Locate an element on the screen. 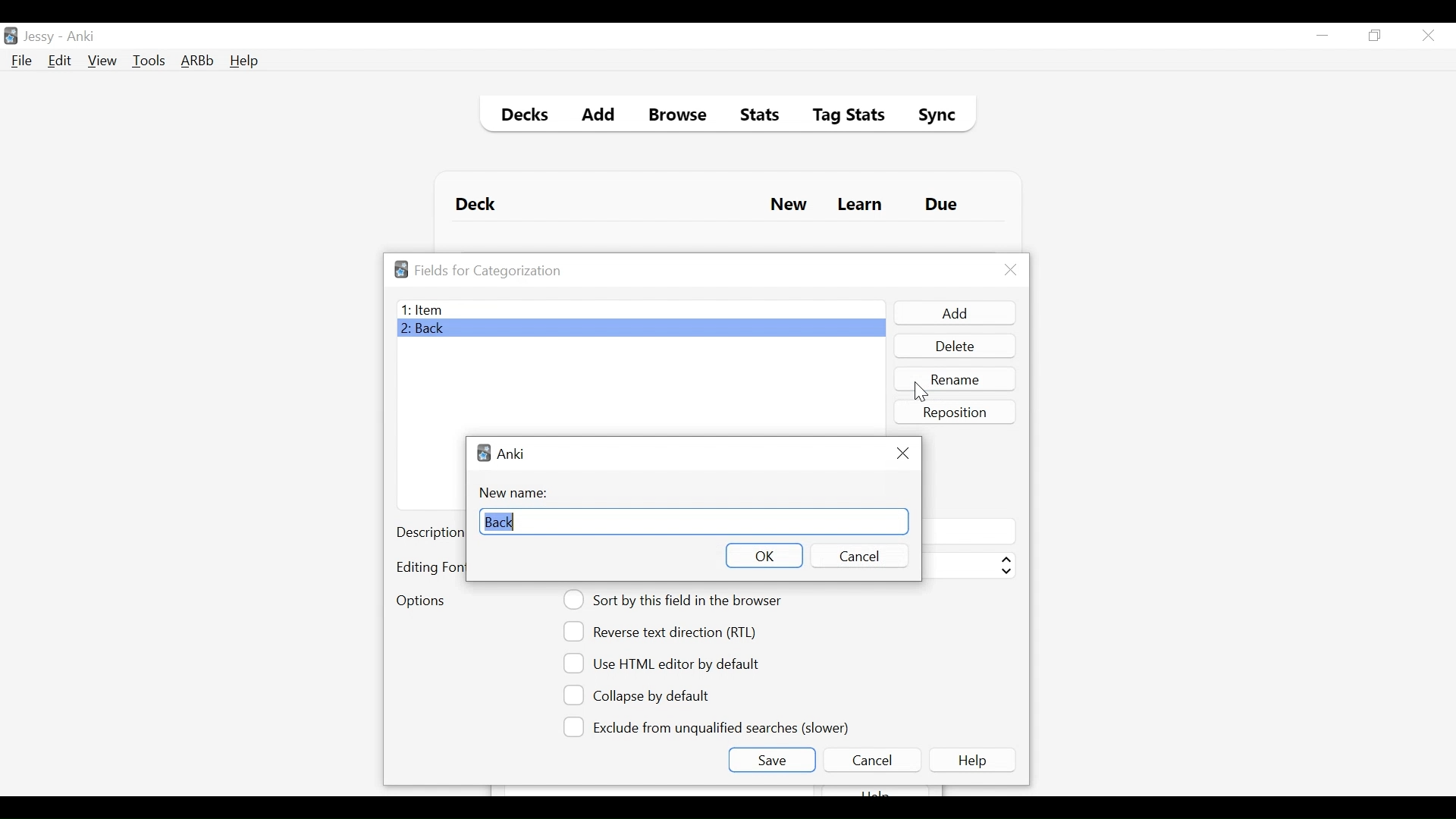  Add is located at coordinates (599, 117).